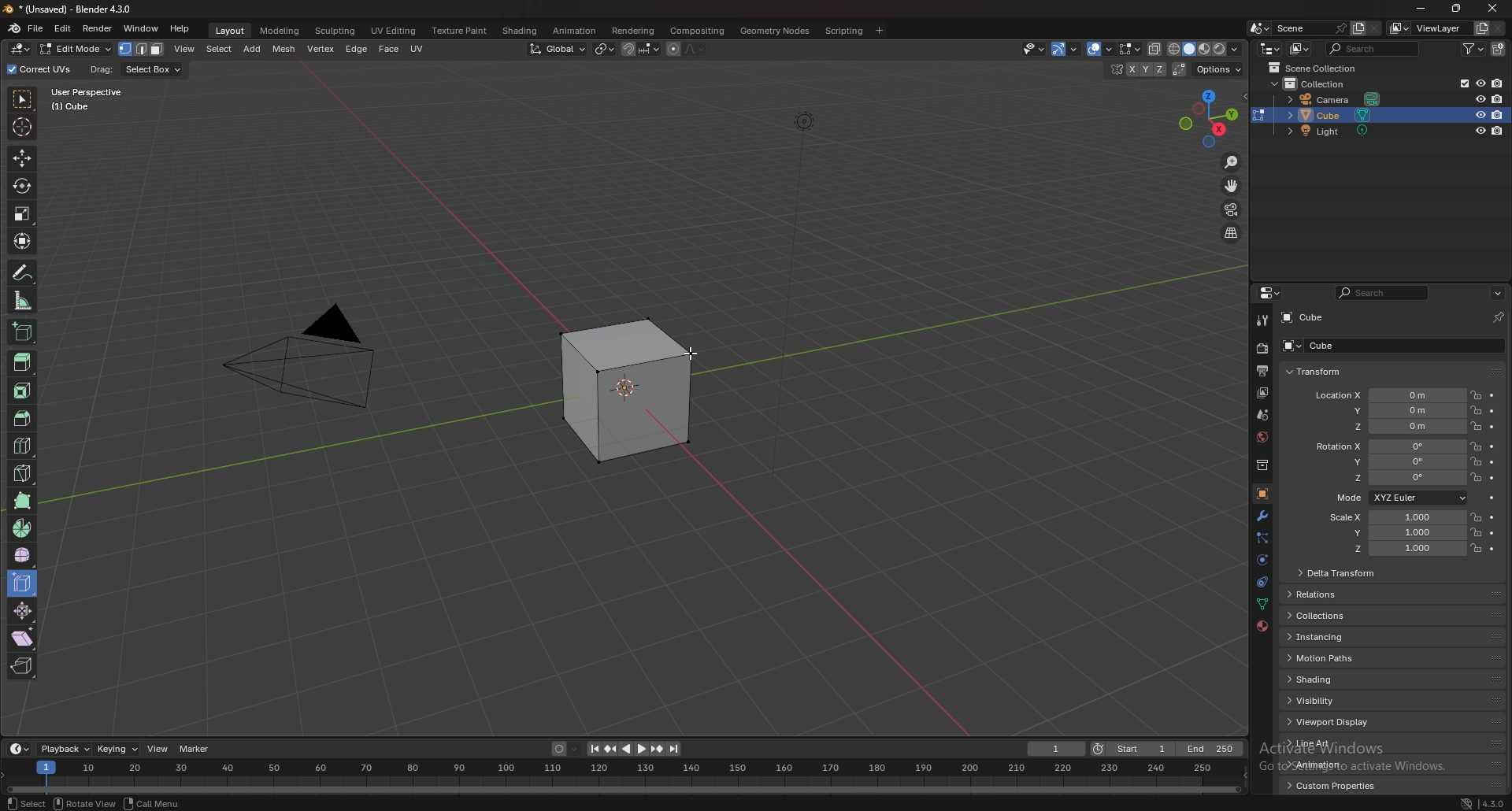 This screenshot has width=1512, height=811. I want to click on rip region, so click(23, 665).